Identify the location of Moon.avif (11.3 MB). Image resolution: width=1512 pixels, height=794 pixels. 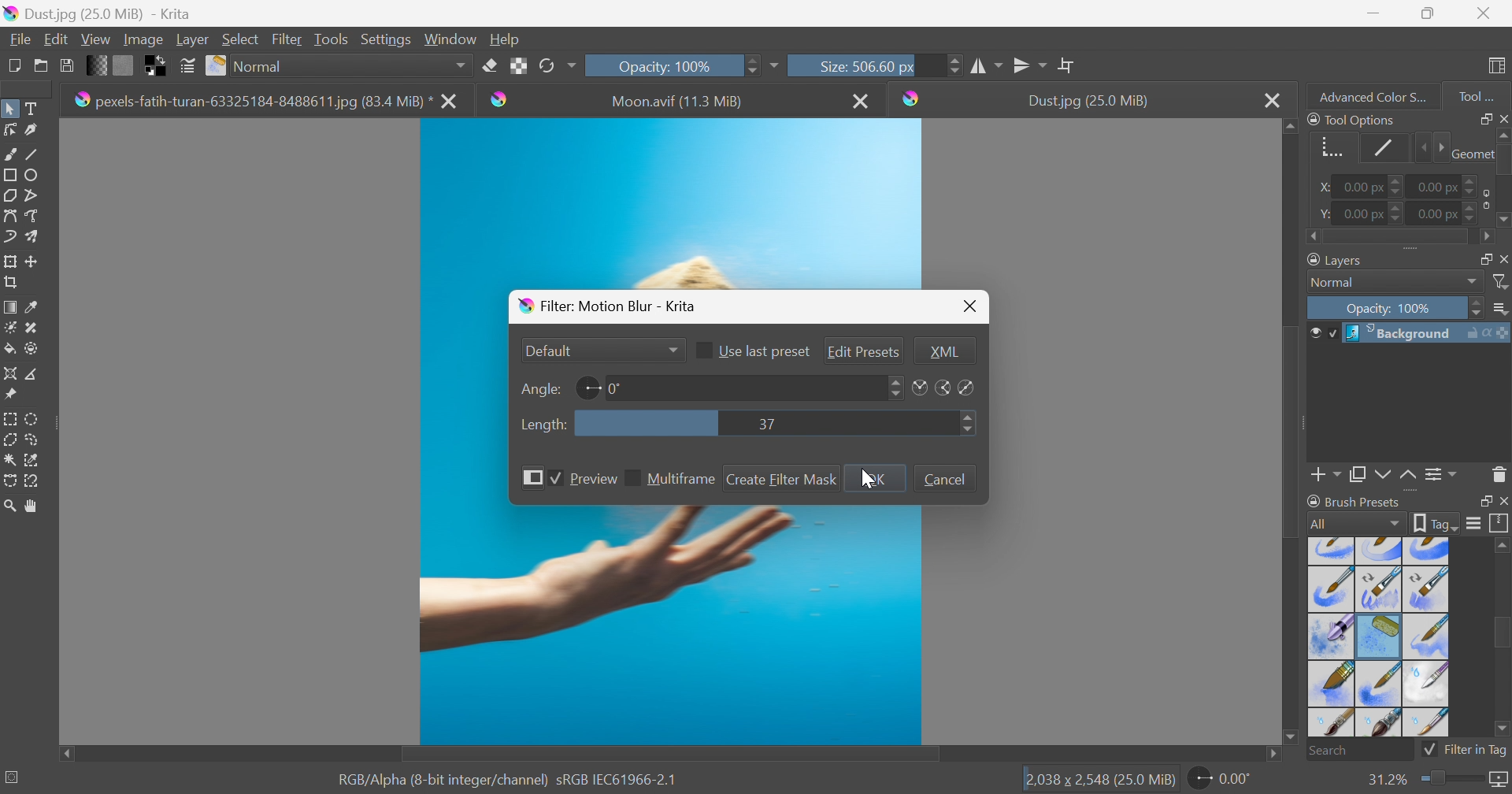
(679, 102).